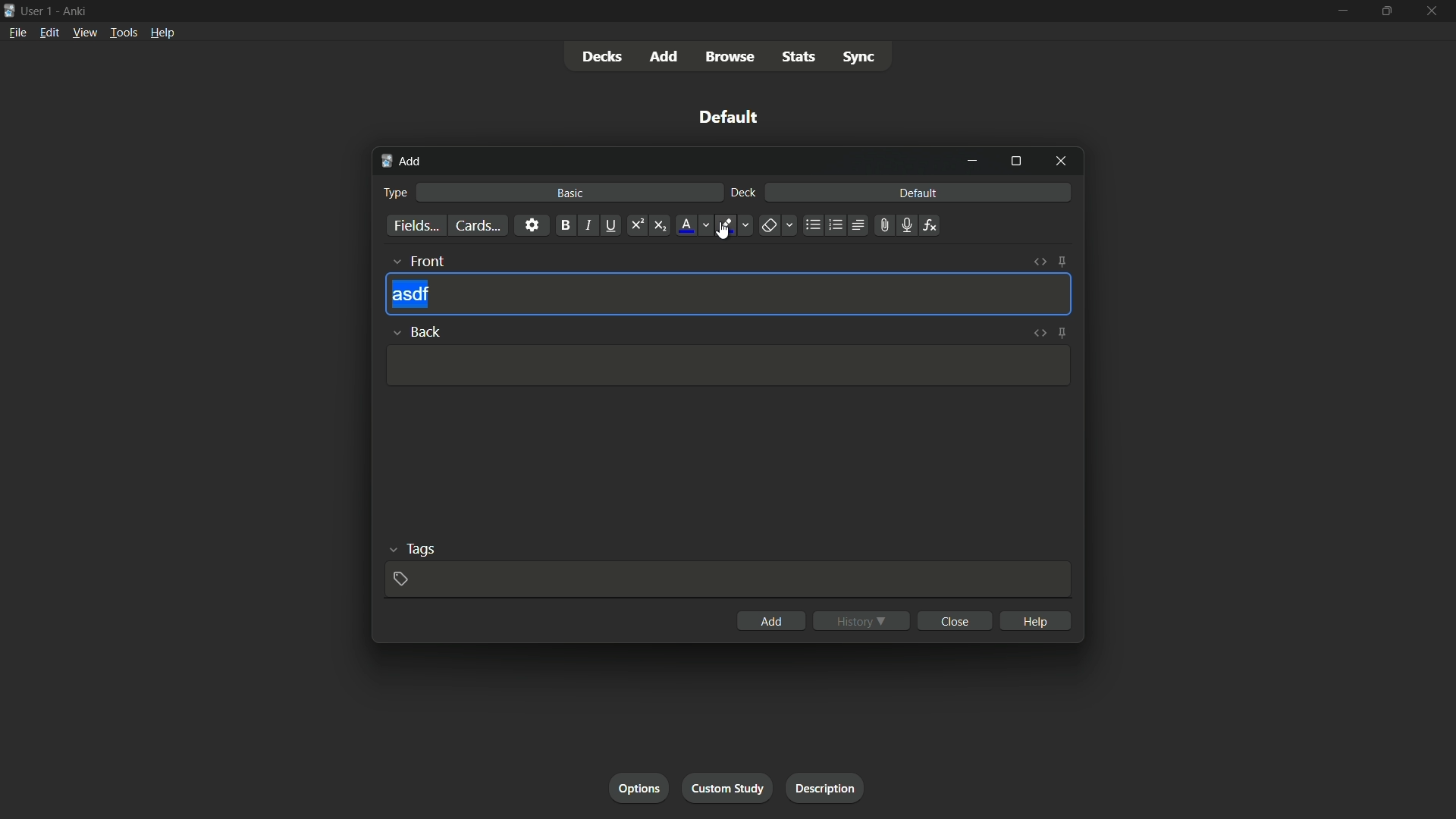 The height and width of the screenshot is (819, 1456). I want to click on basic, so click(571, 193).